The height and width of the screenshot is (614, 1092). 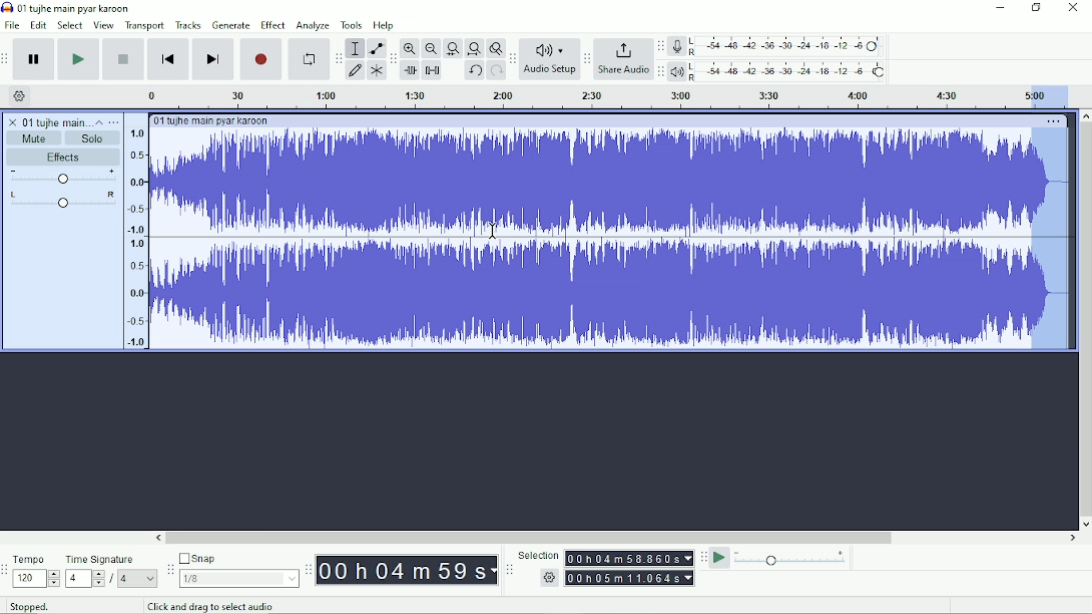 I want to click on Zoom In, so click(x=409, y=48).